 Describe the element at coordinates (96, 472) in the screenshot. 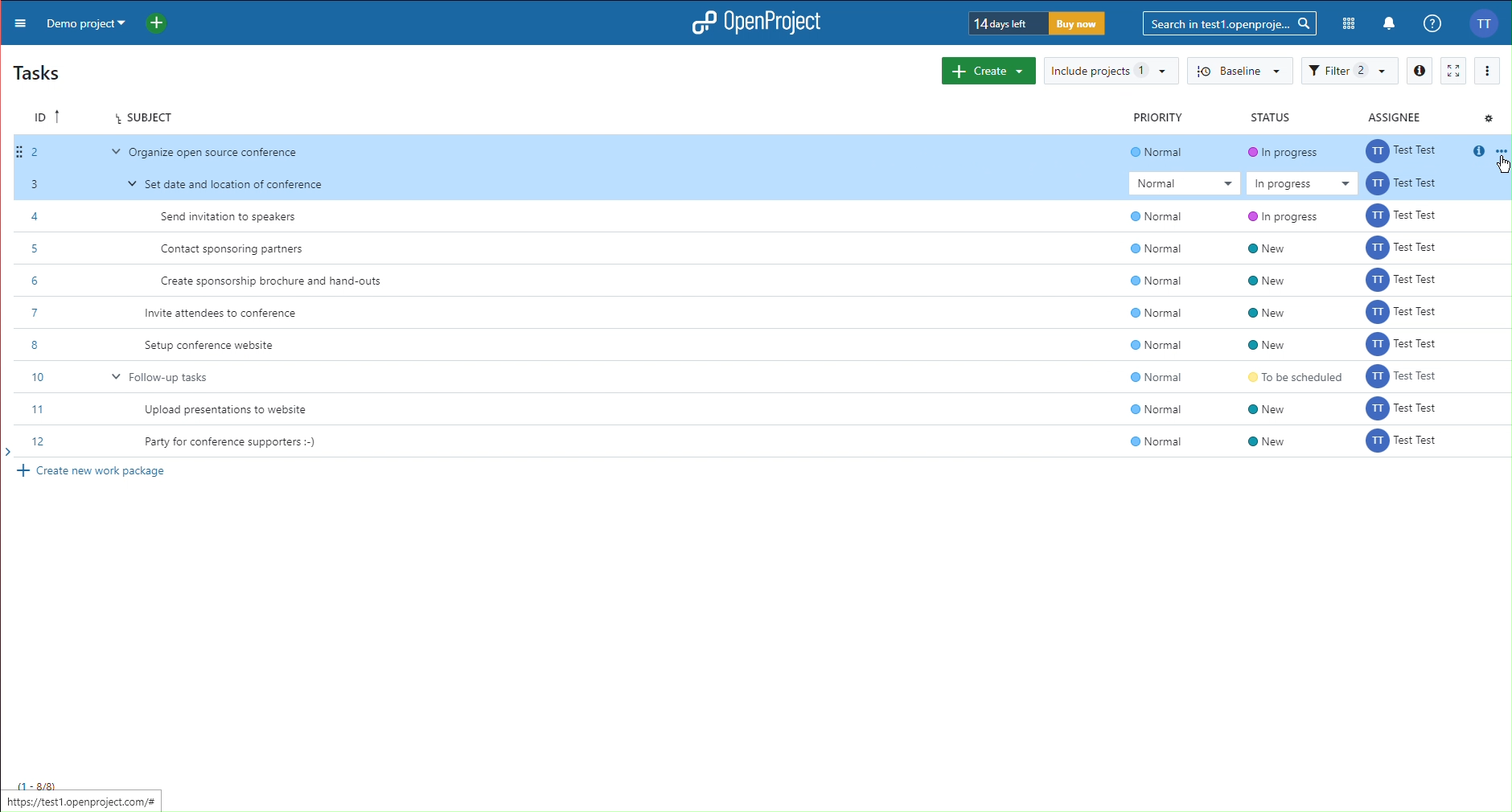

I see `Create new work package` at that location.